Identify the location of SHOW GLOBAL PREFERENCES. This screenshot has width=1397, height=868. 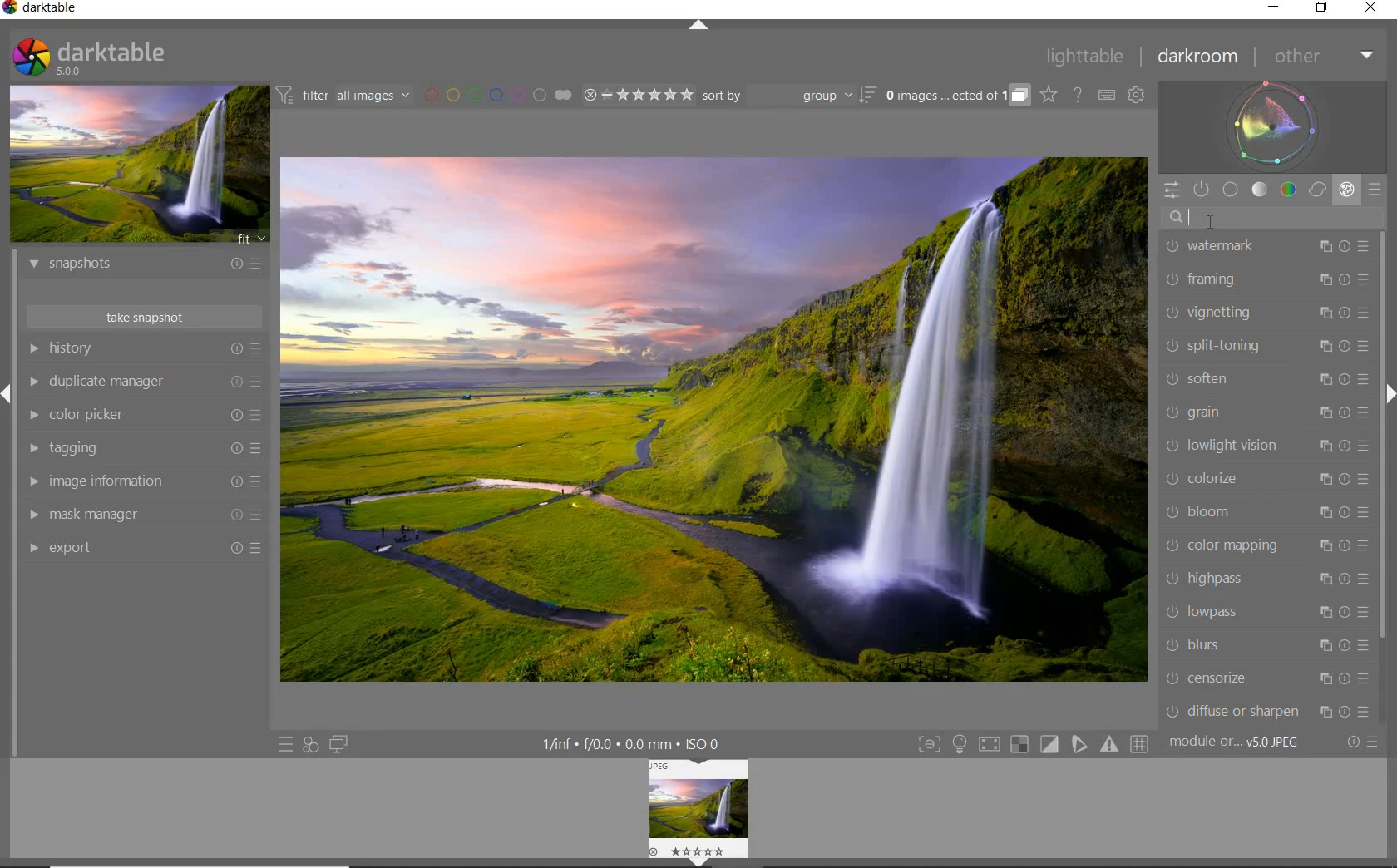
(1136, 95).